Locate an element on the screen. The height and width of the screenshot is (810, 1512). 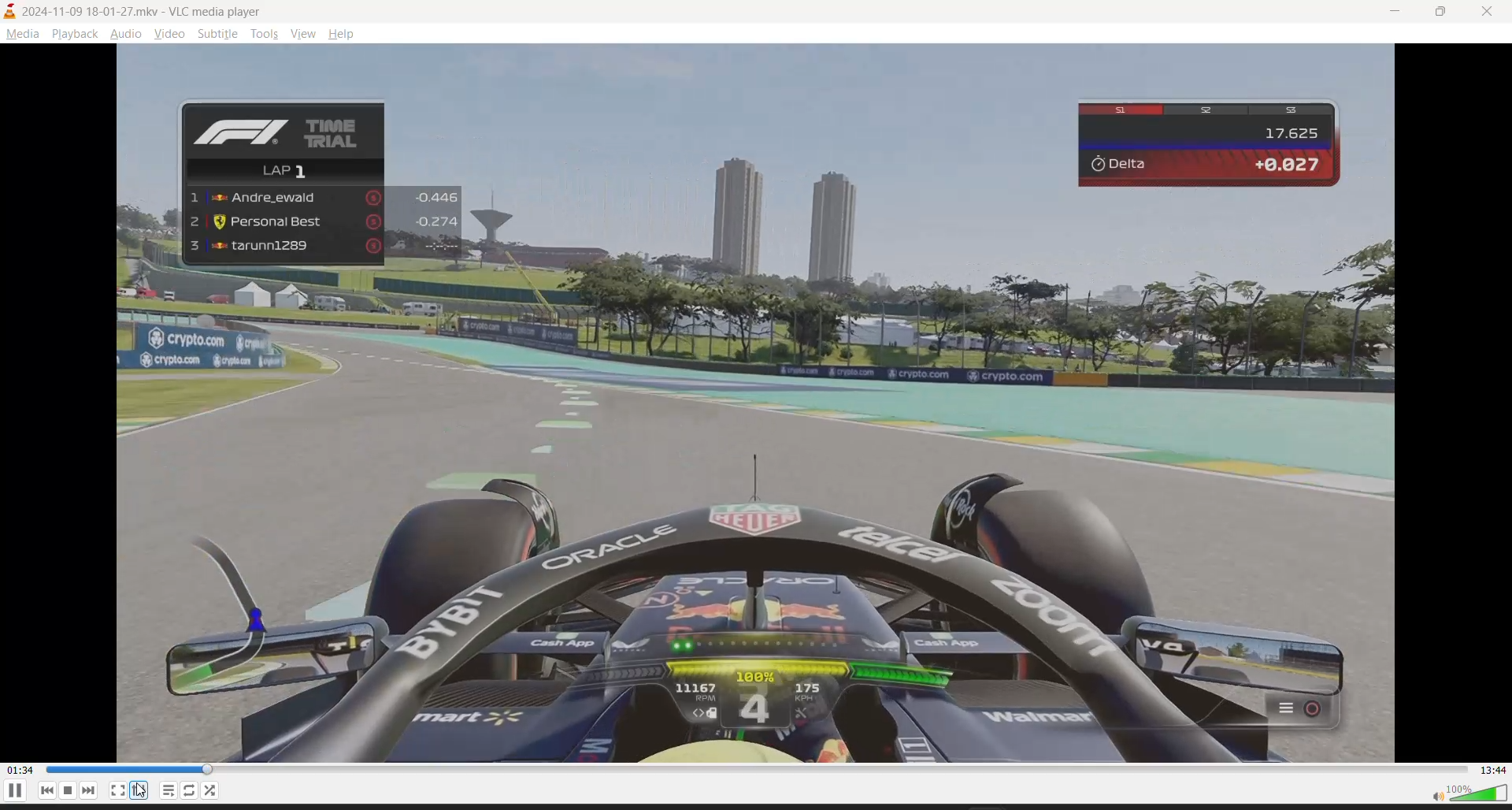
close is located at coordinates (1489, 9).